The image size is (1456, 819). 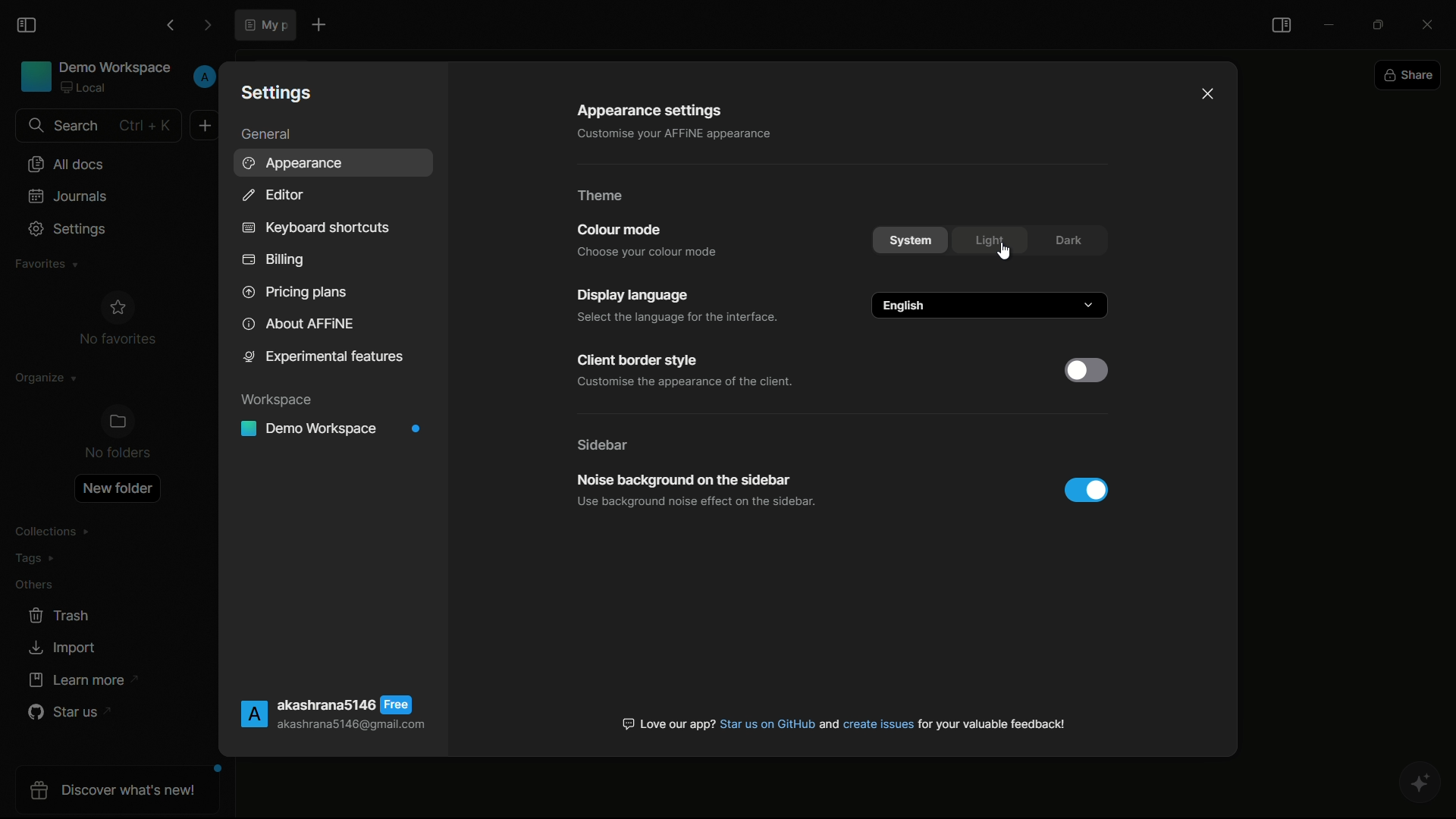 What do you see at coordinates (350, 726) in the screenshot?
I see `profile email` at bounding box center [350, 726].